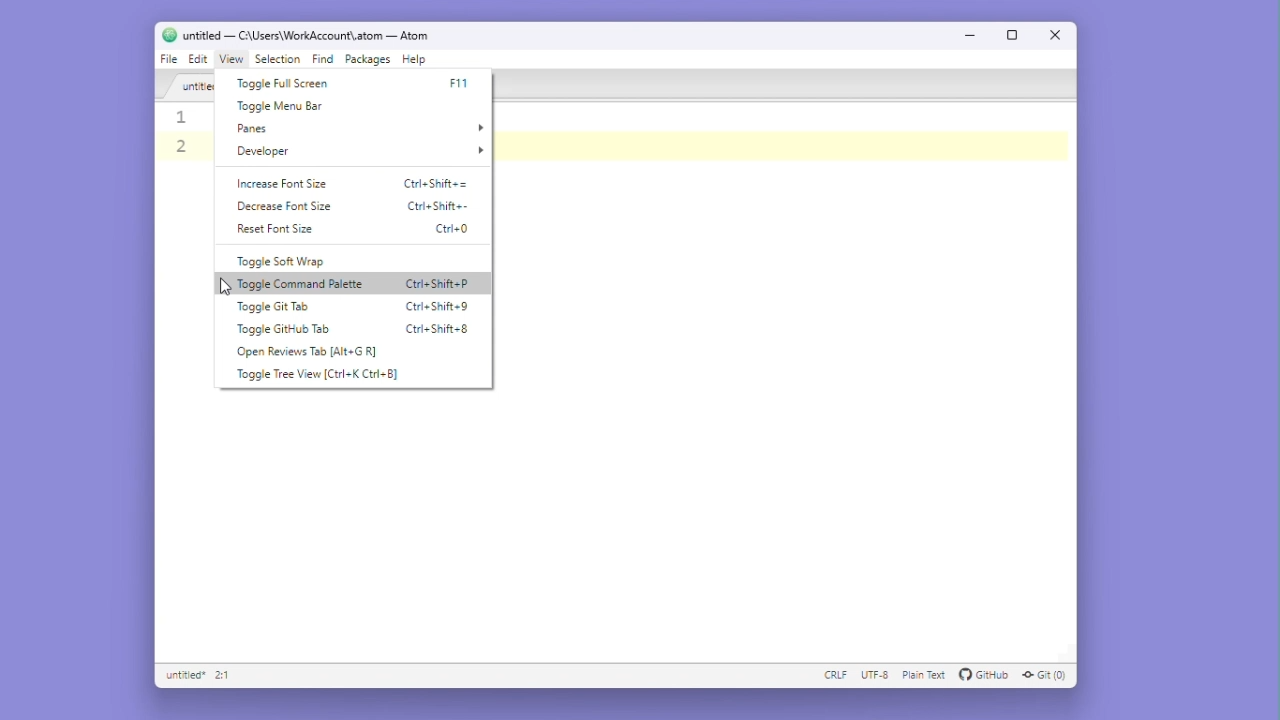 The image size is (1280, 720). I want to click on view , so click(231, 61).